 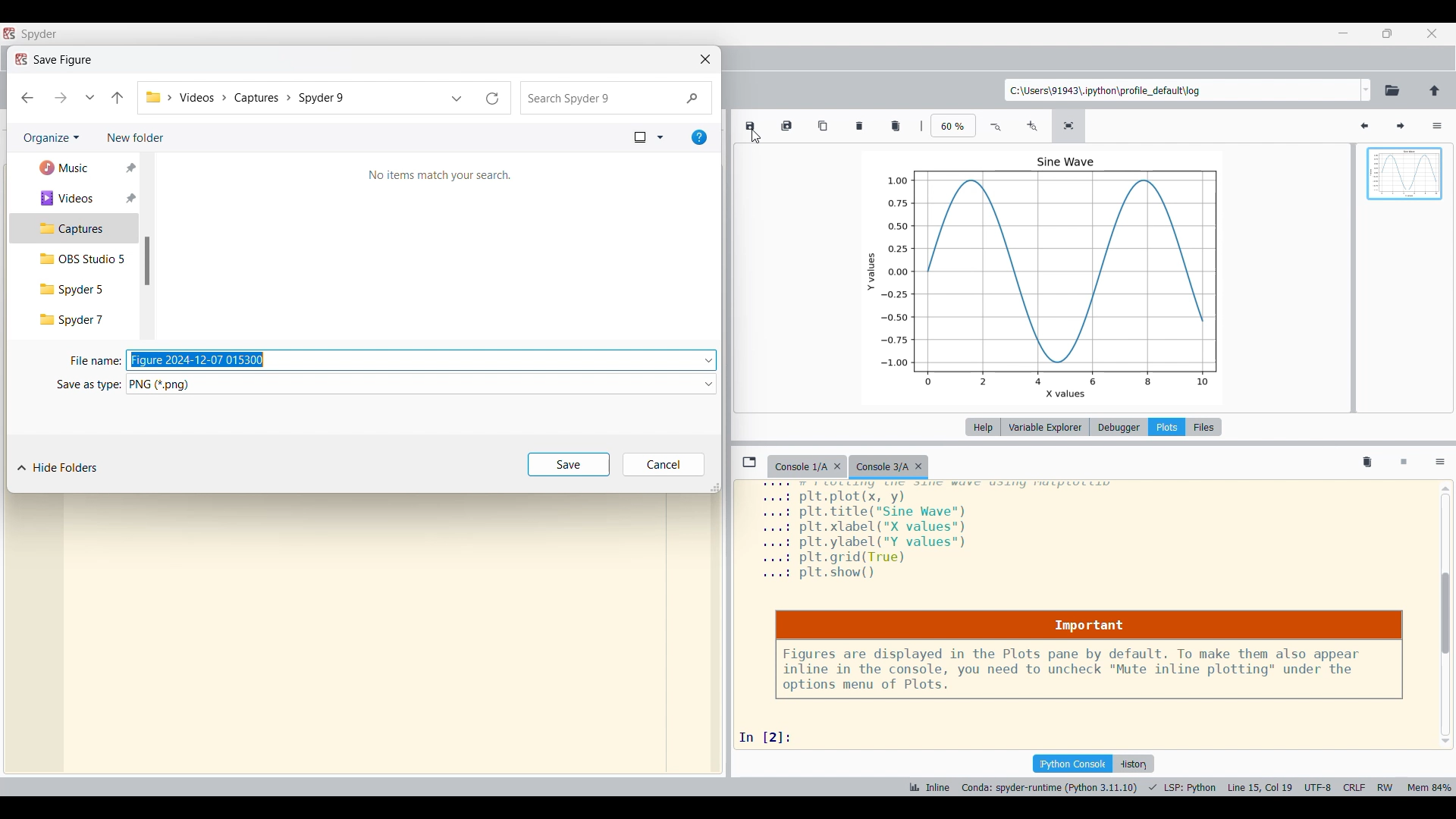 What do you see at coordinates (1133, 764) in the screenshot?
I see `History ` at bounding box center [1133, 764].